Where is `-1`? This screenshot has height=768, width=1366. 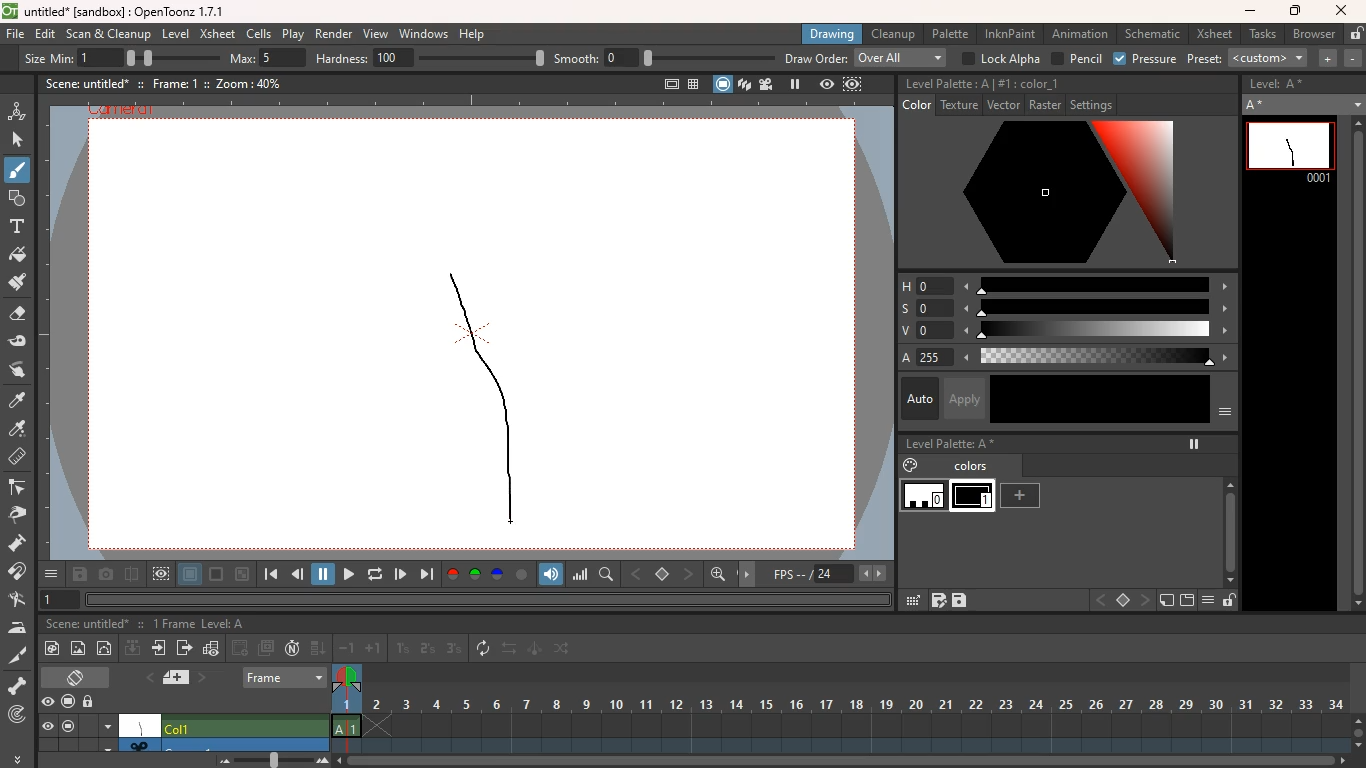
-1 is located at coordinates (347, 648).